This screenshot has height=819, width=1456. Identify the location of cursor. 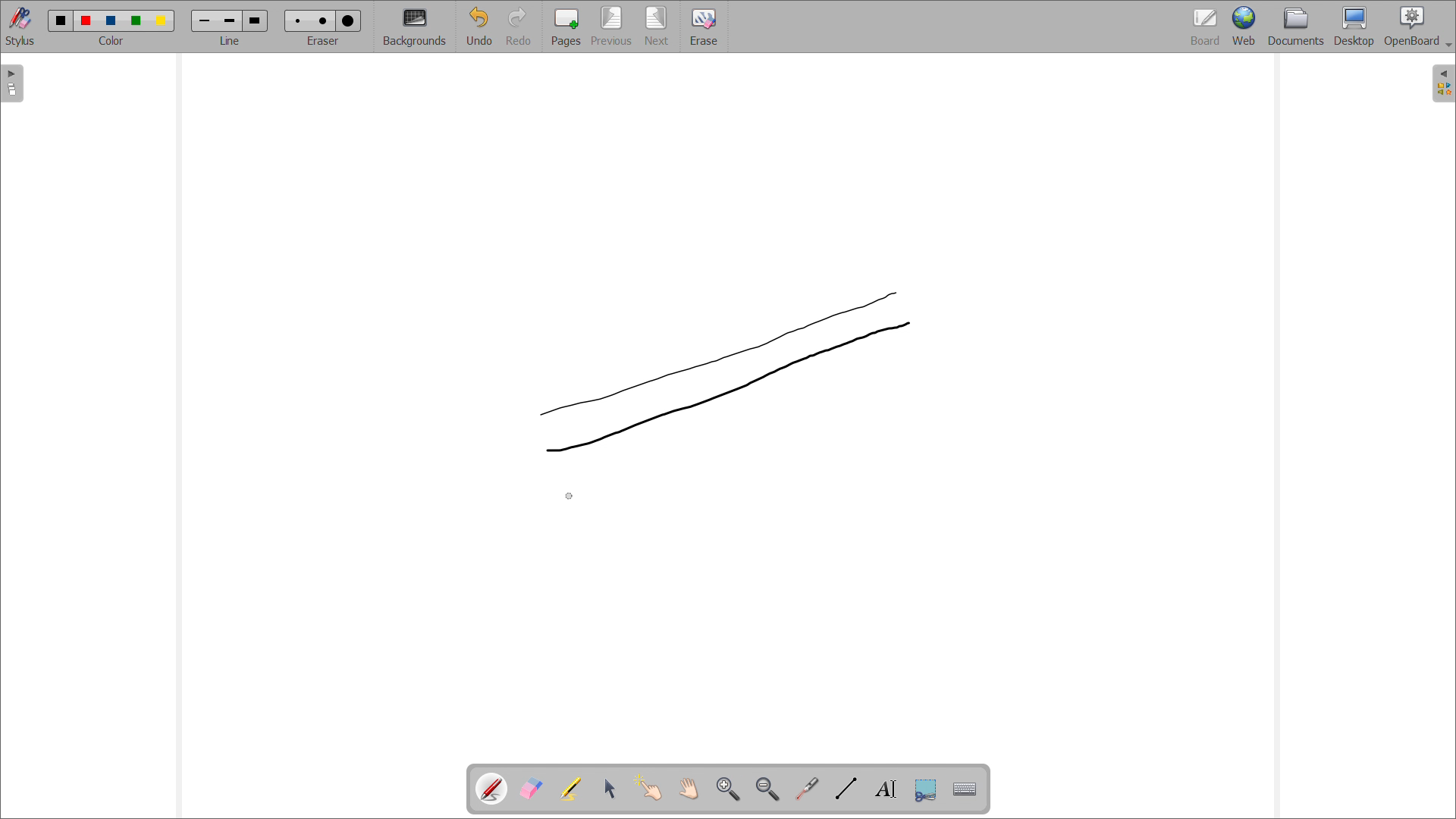
(569, 496).